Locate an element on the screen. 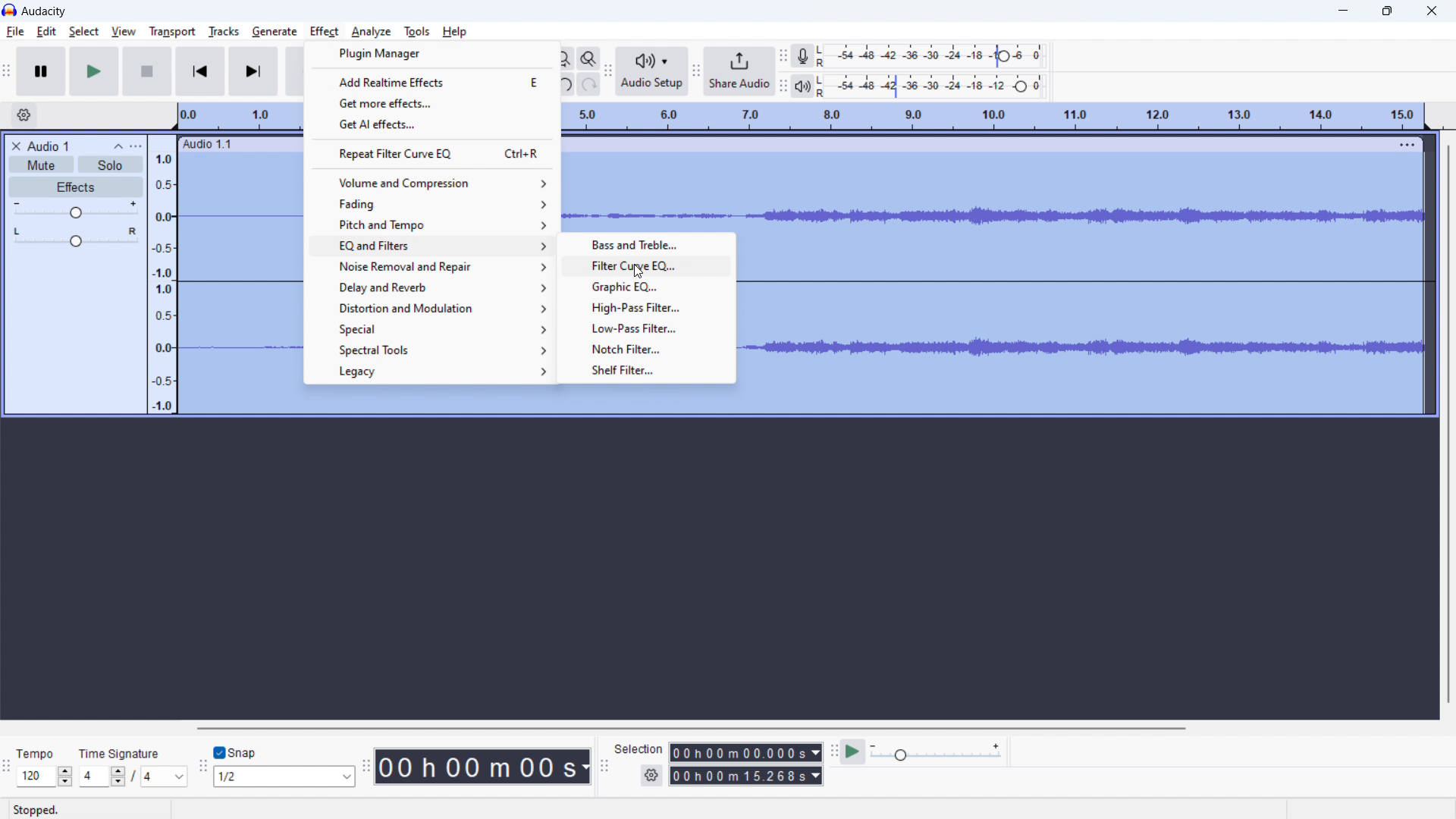  audio setup is located at coordinates (654, 73).